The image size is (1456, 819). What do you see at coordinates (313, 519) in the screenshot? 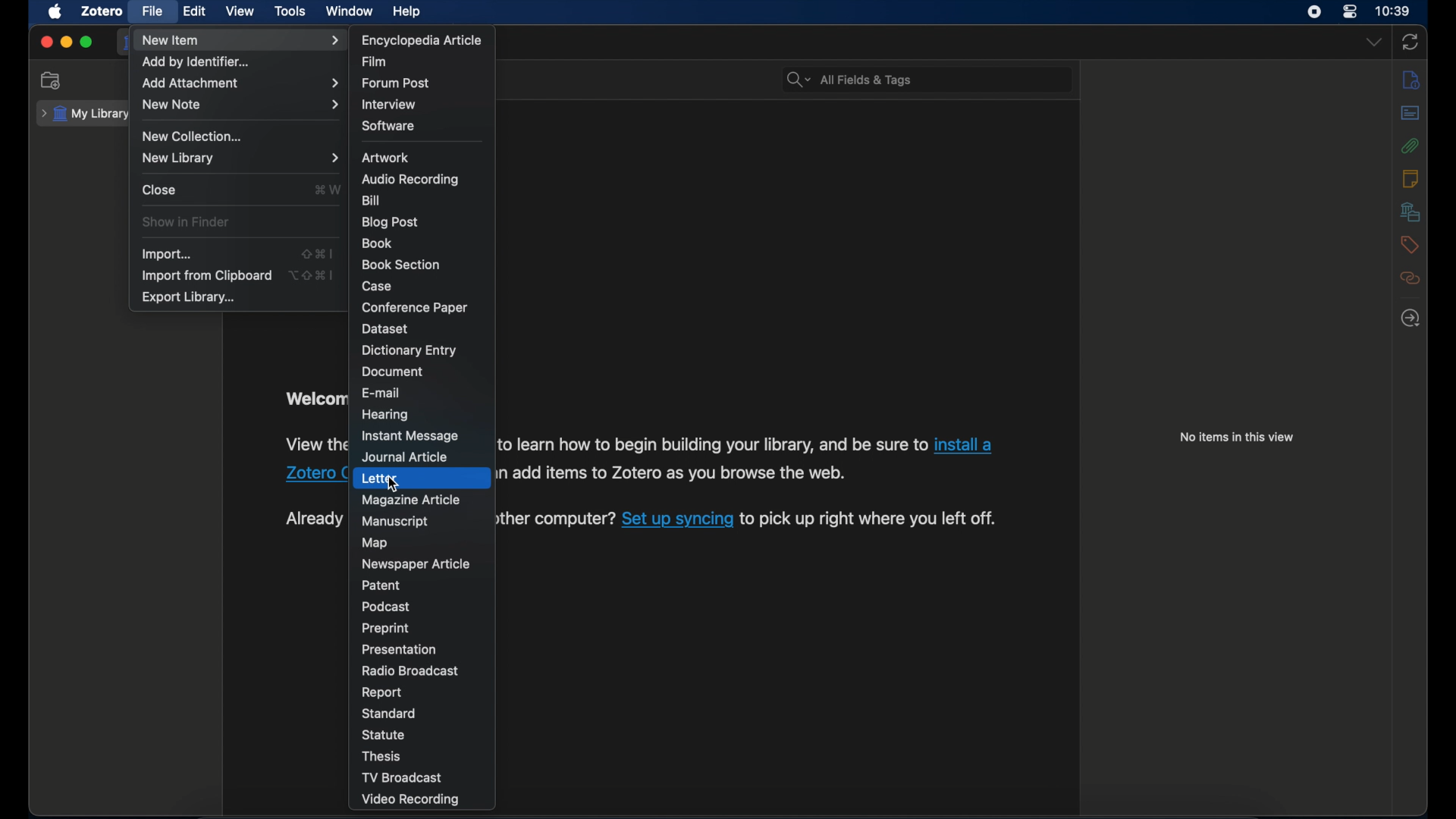
I see `Already` at bounding box center [313, 519].